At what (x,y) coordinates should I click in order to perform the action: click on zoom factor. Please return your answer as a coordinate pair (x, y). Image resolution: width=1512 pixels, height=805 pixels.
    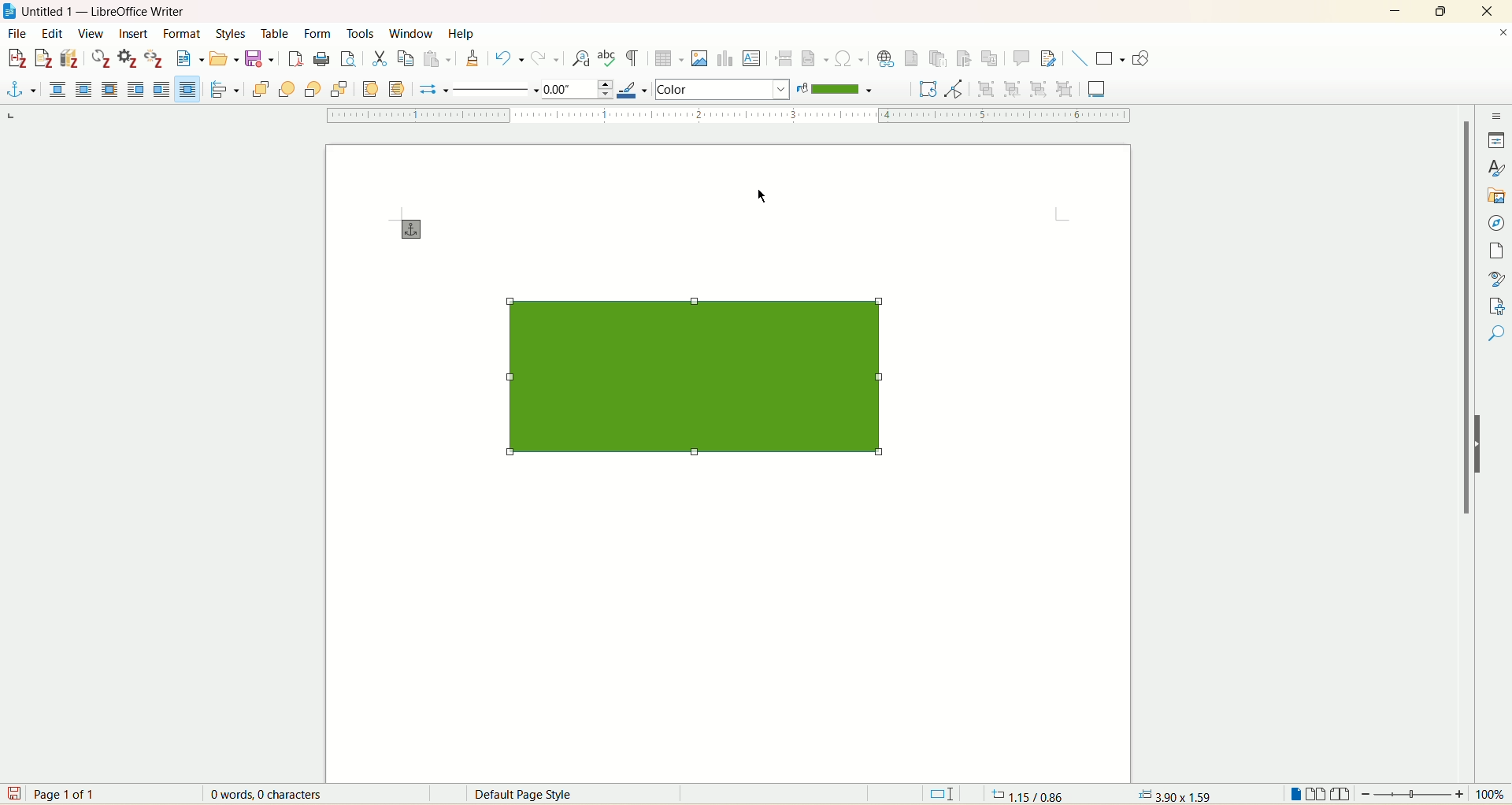
    Looking at the image, I should click on (1435, 795).